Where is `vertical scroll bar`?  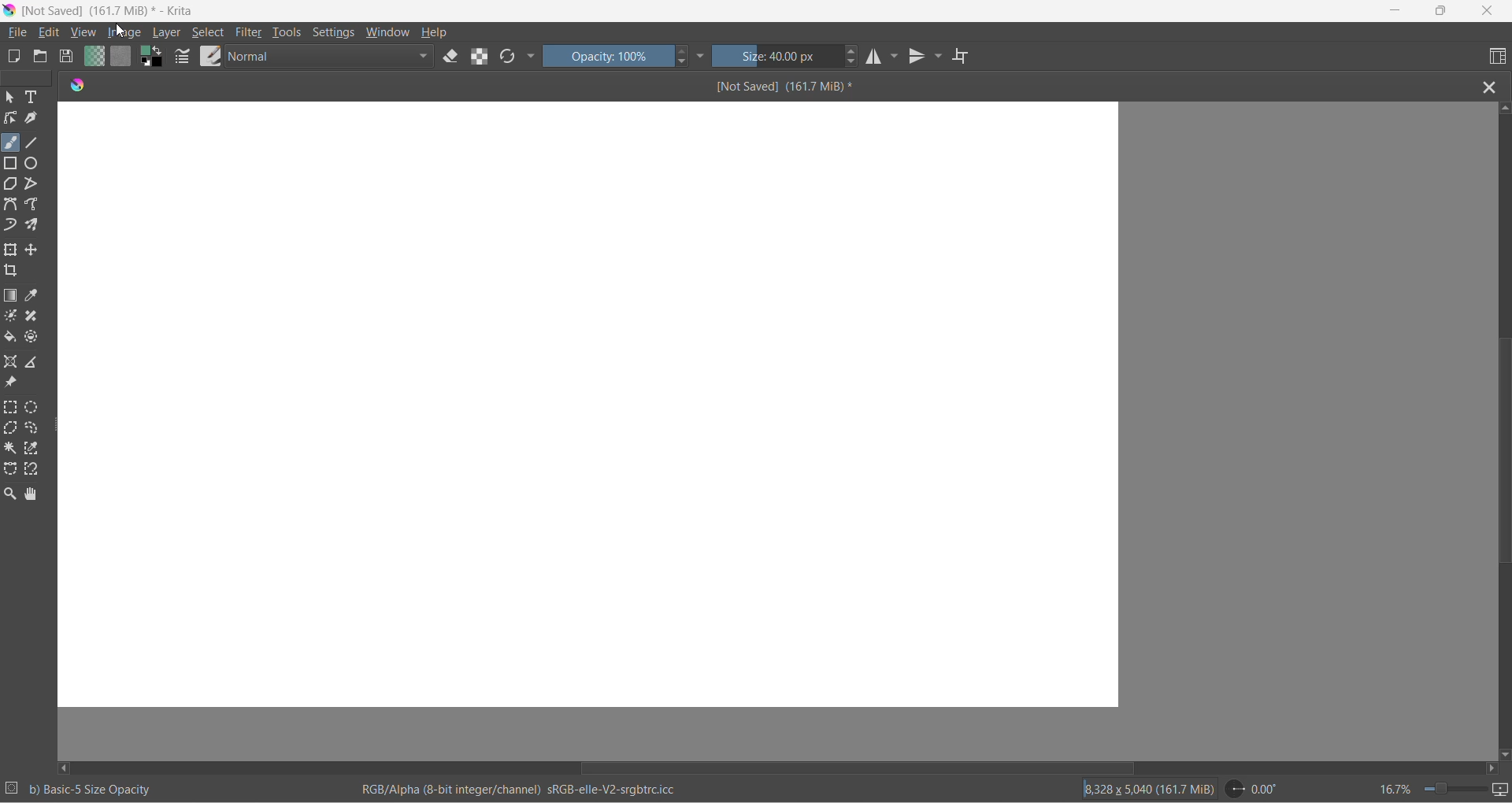 vertical scroll bar is located at coordinates (1500, 454).